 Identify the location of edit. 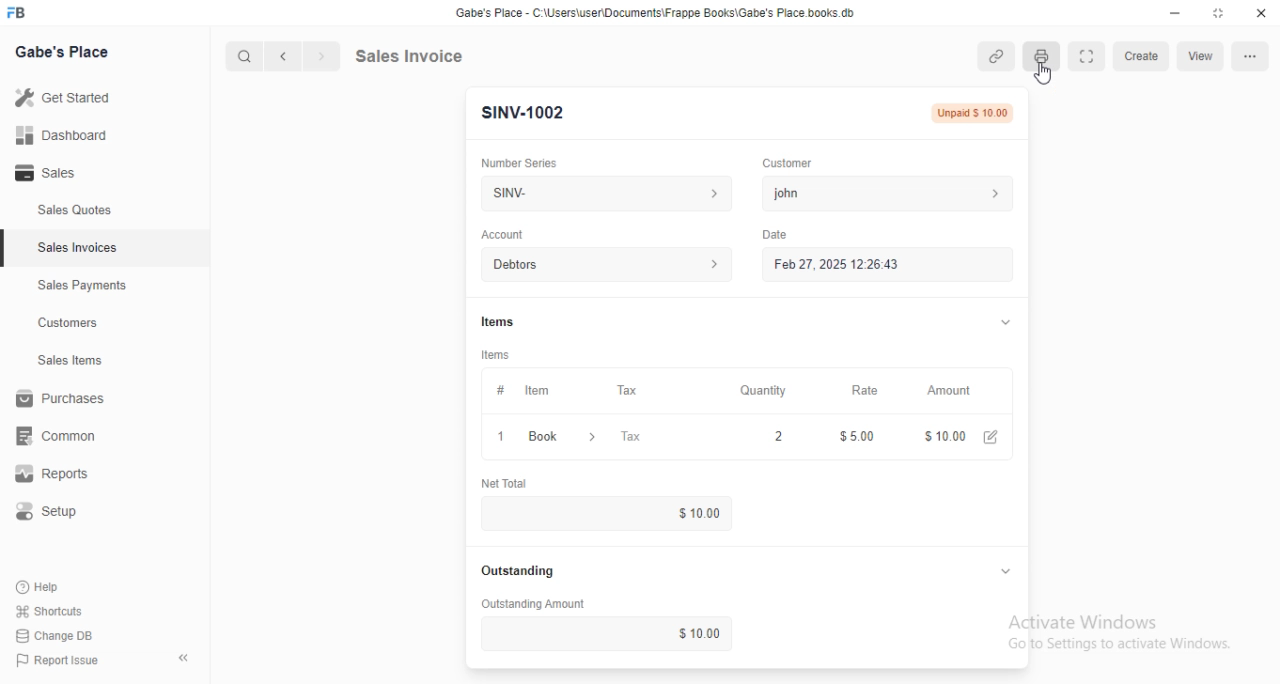
(990, 437).